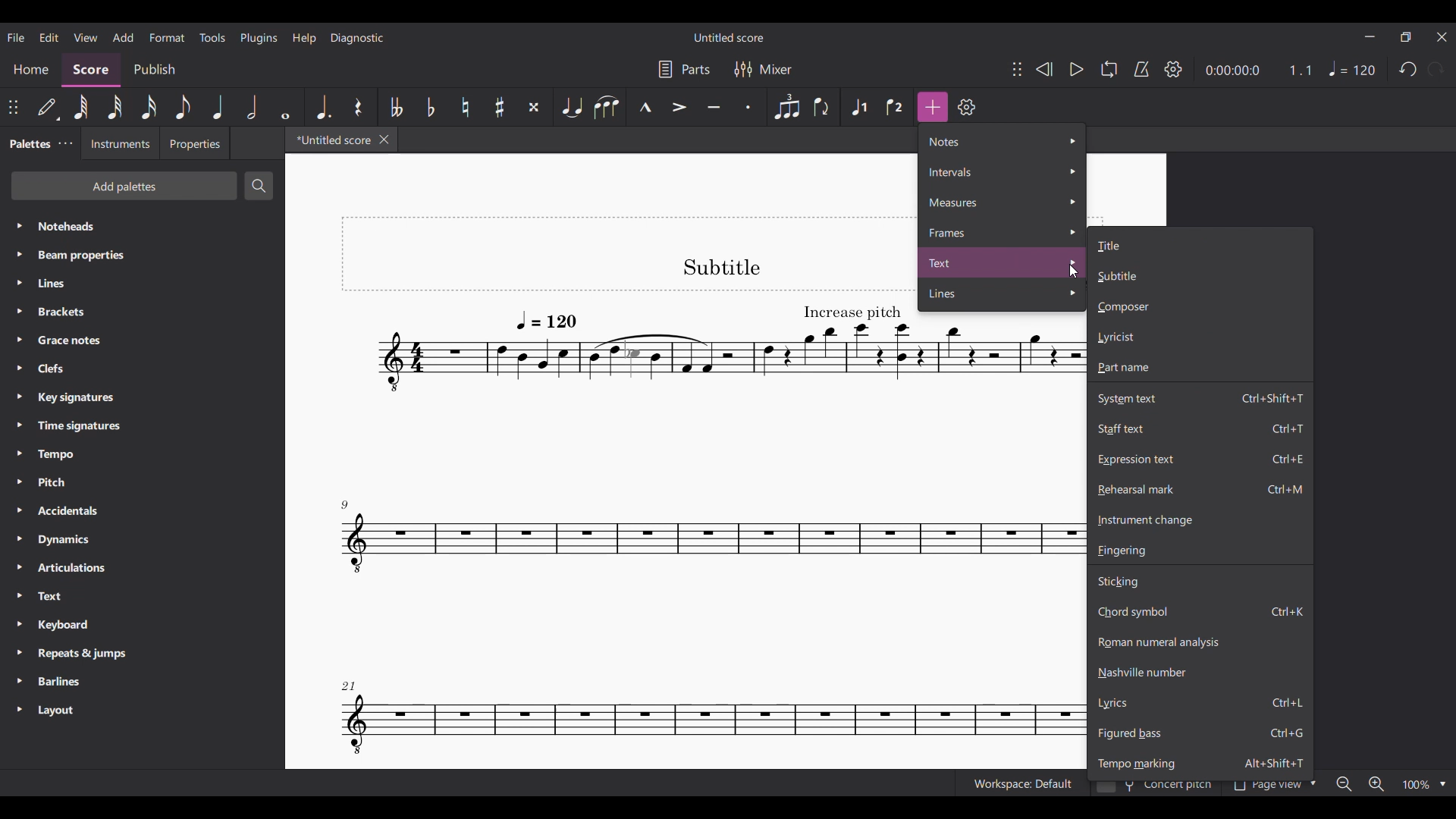 This screenshot has width=1456, height=819. I want to click on Fingering, so click(1200, 550).